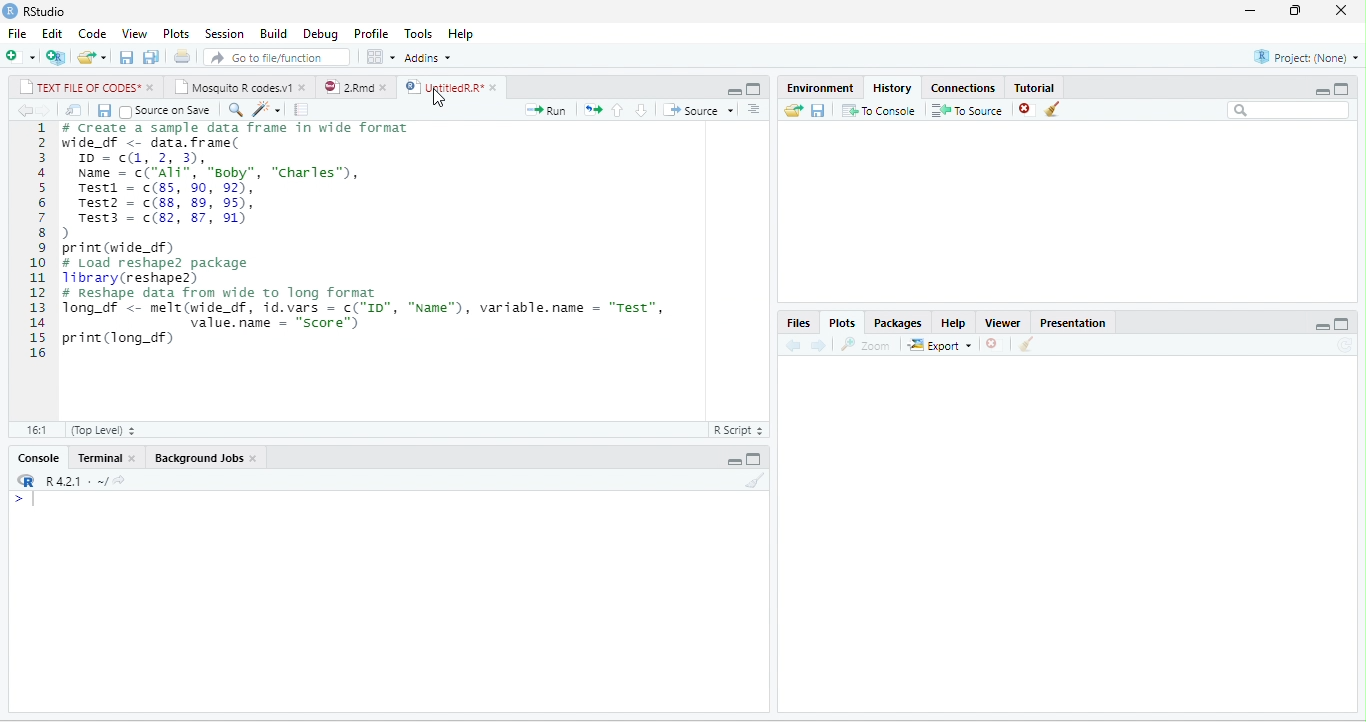 The width and height of the screenshot is (1366, 722). Describe the element at coordinates (428, 58) in the screenshot. I see `Addins` at that location.